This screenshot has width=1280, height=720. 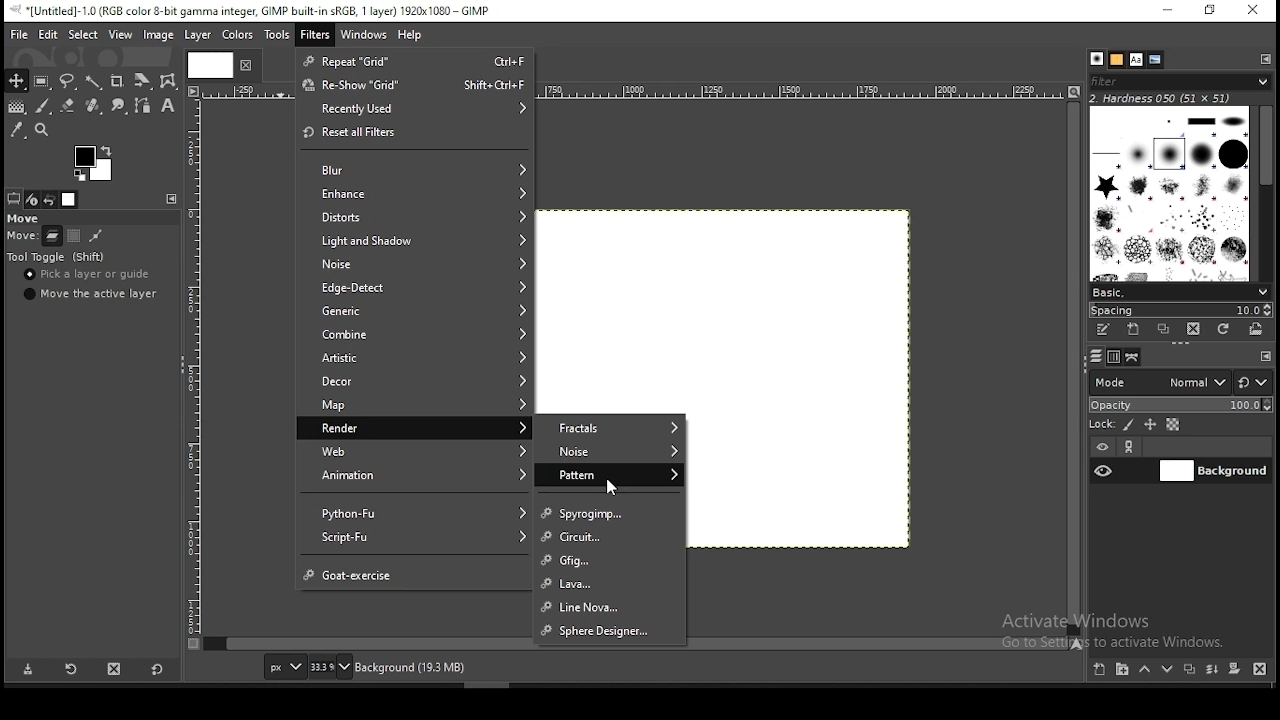 I want to click on blur, so click(x=417, y=170).